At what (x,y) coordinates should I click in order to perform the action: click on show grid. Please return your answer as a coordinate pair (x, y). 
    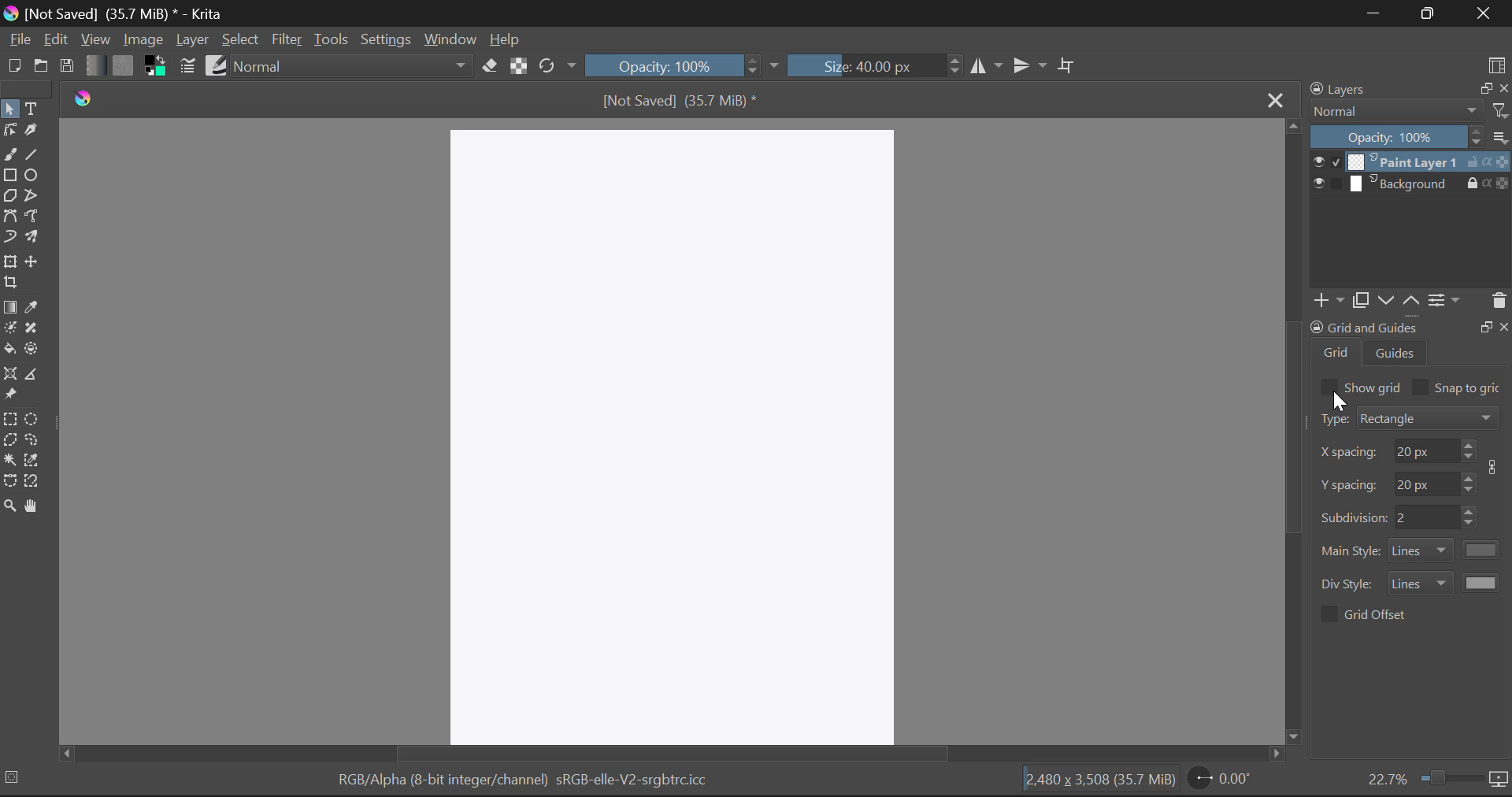
    Looking at the image, I should click on (1374, 387).